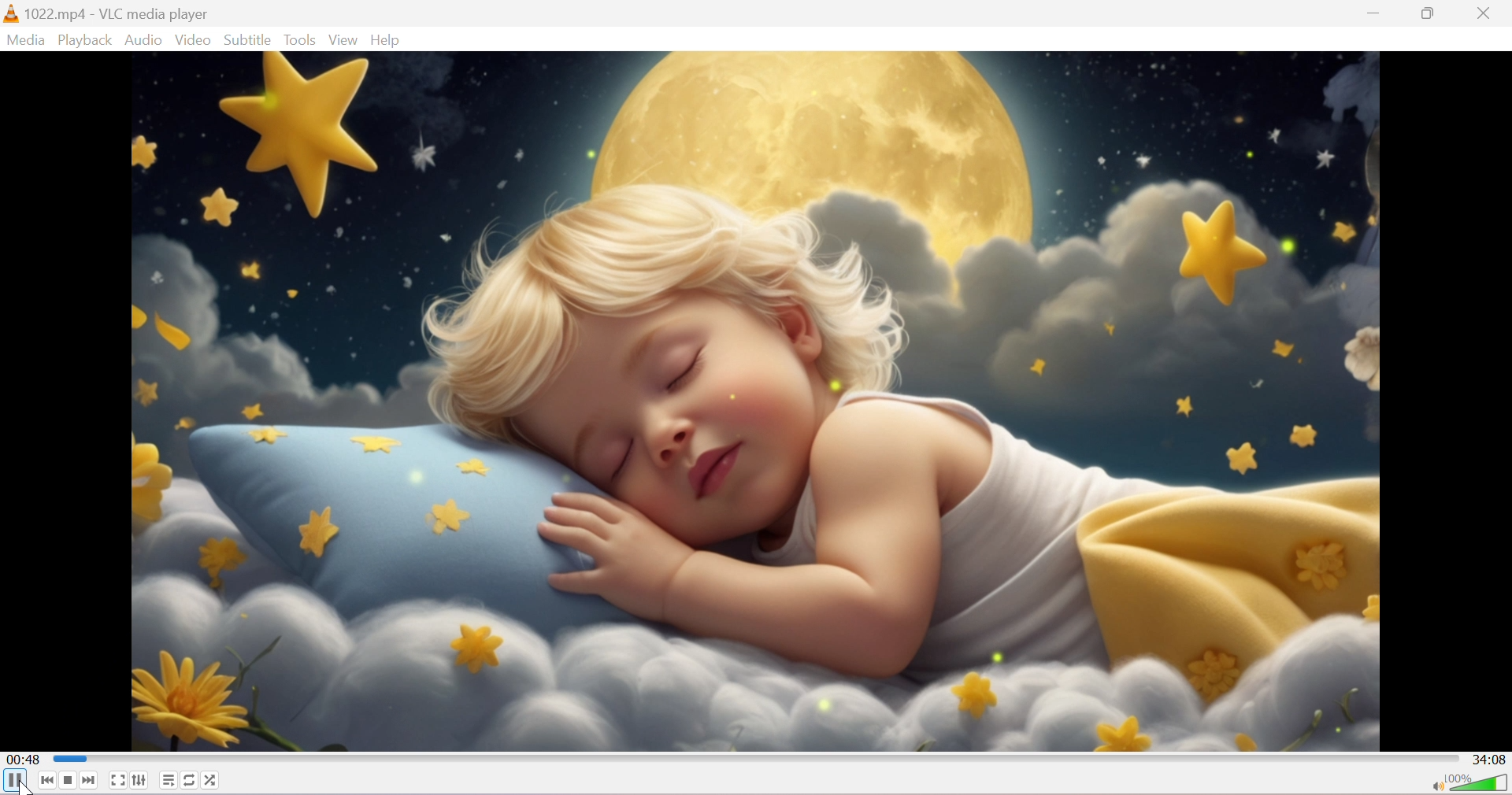  Describe the element at coordinates (1429, 14) in the screenshot. I see `Maximize` at that location.